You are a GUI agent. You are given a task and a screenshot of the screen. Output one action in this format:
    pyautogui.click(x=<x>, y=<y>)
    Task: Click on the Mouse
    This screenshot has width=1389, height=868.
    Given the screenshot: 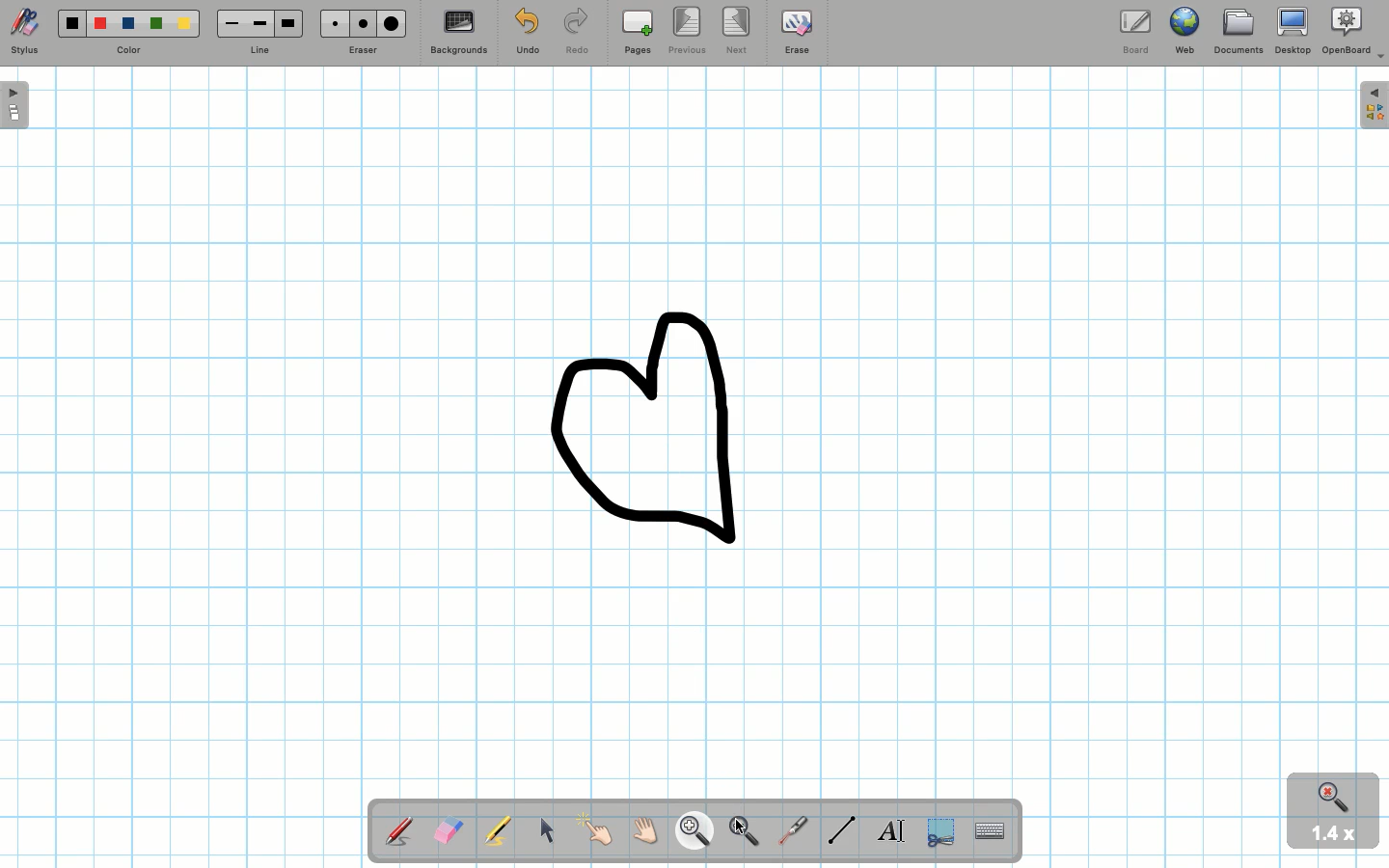 What is the action you would take?
    pyautogui.click(x=547, y=833)
    